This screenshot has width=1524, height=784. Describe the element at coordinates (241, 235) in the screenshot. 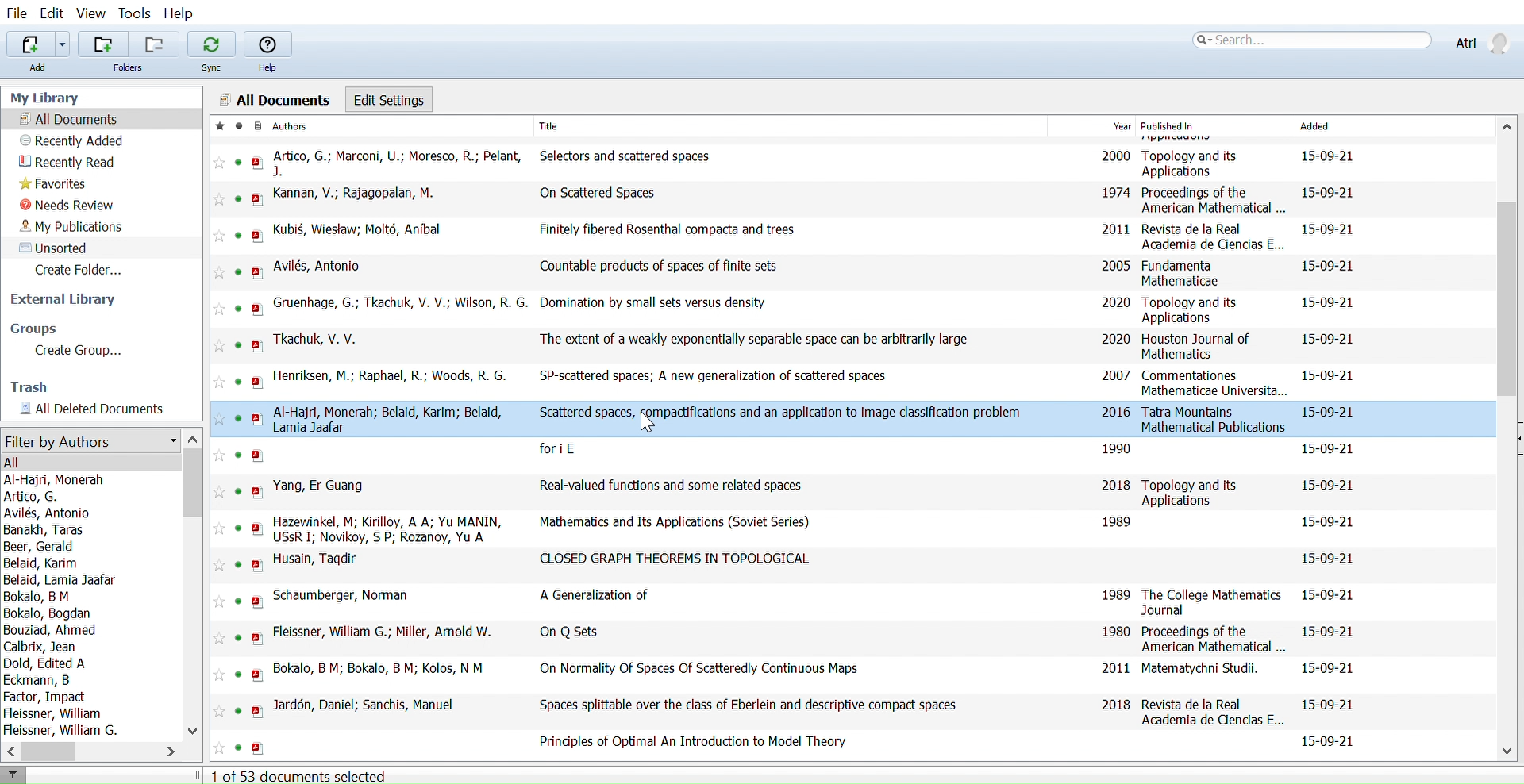

I see `Status` at that location.